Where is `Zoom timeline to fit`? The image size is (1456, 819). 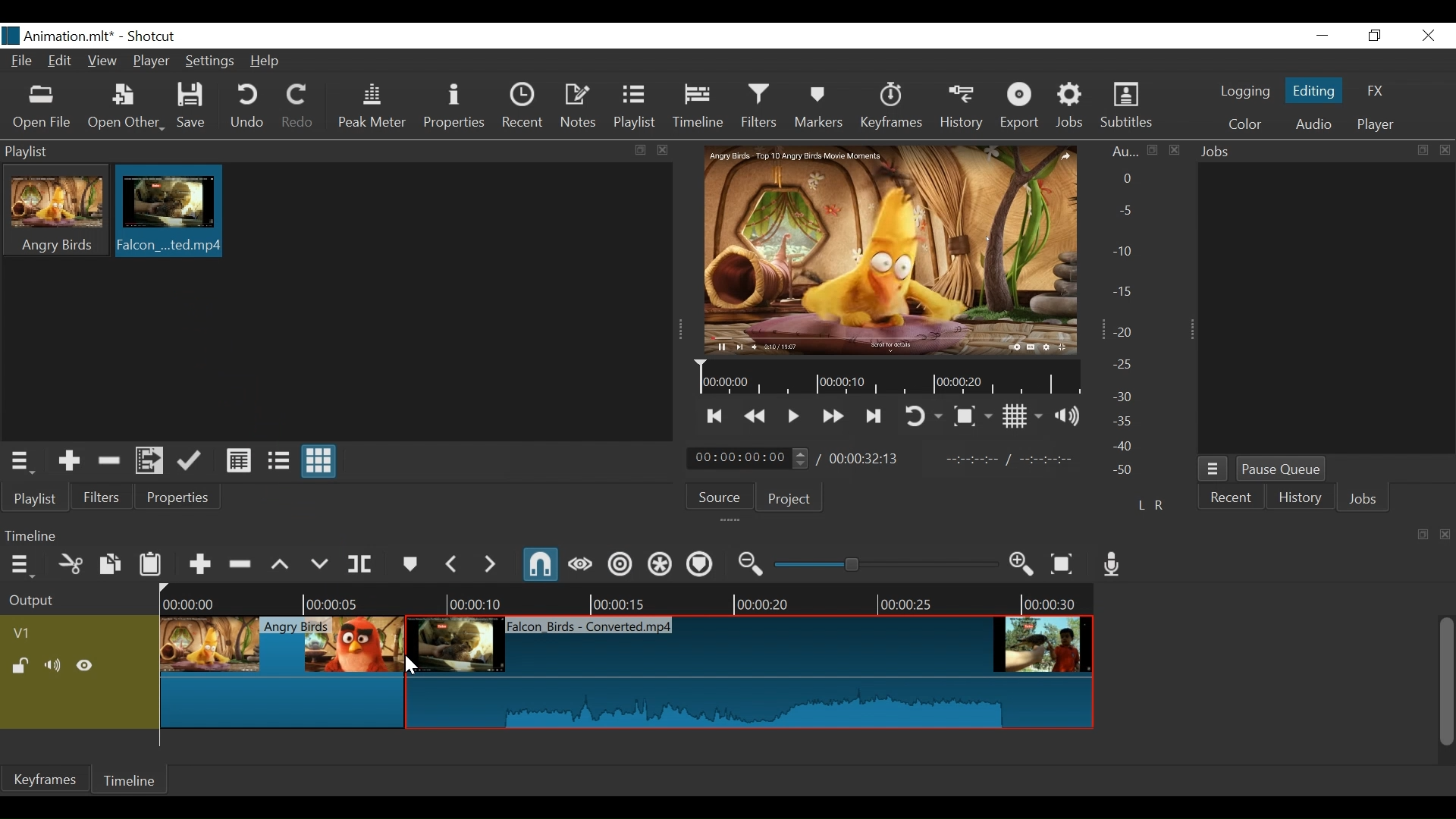 Zoom timeline to fit is located at coordinates (1064, 563).